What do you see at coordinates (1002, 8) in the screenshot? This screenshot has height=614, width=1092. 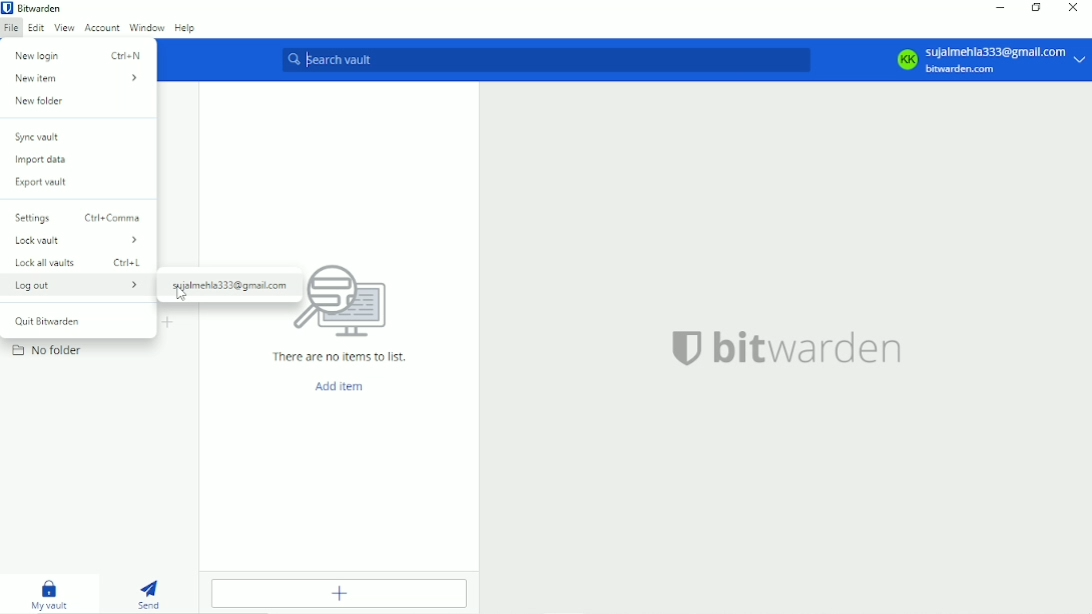 I see `Minimize` at bounding box center [1002, 8].